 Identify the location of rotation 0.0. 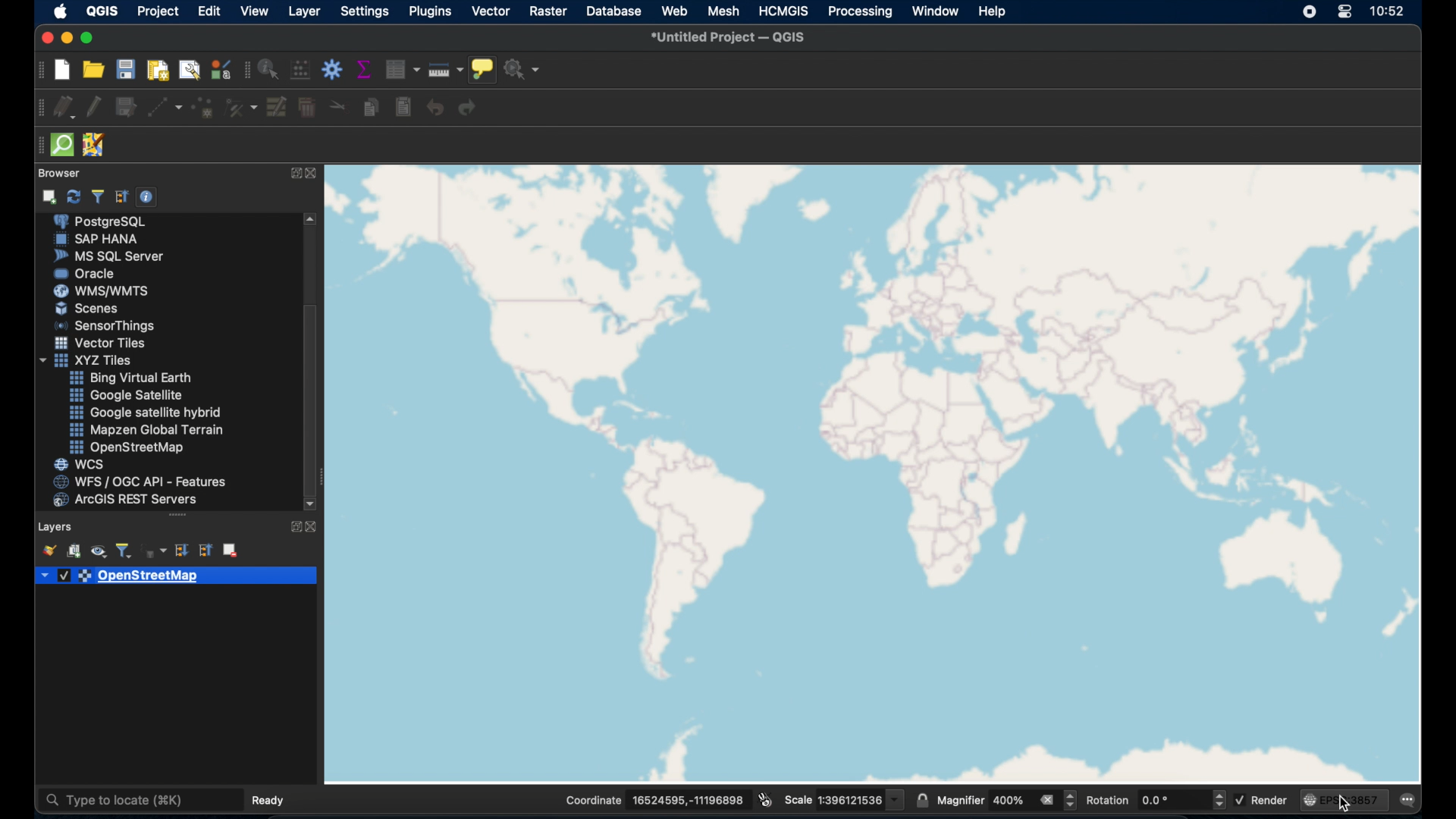
(1155, 799).